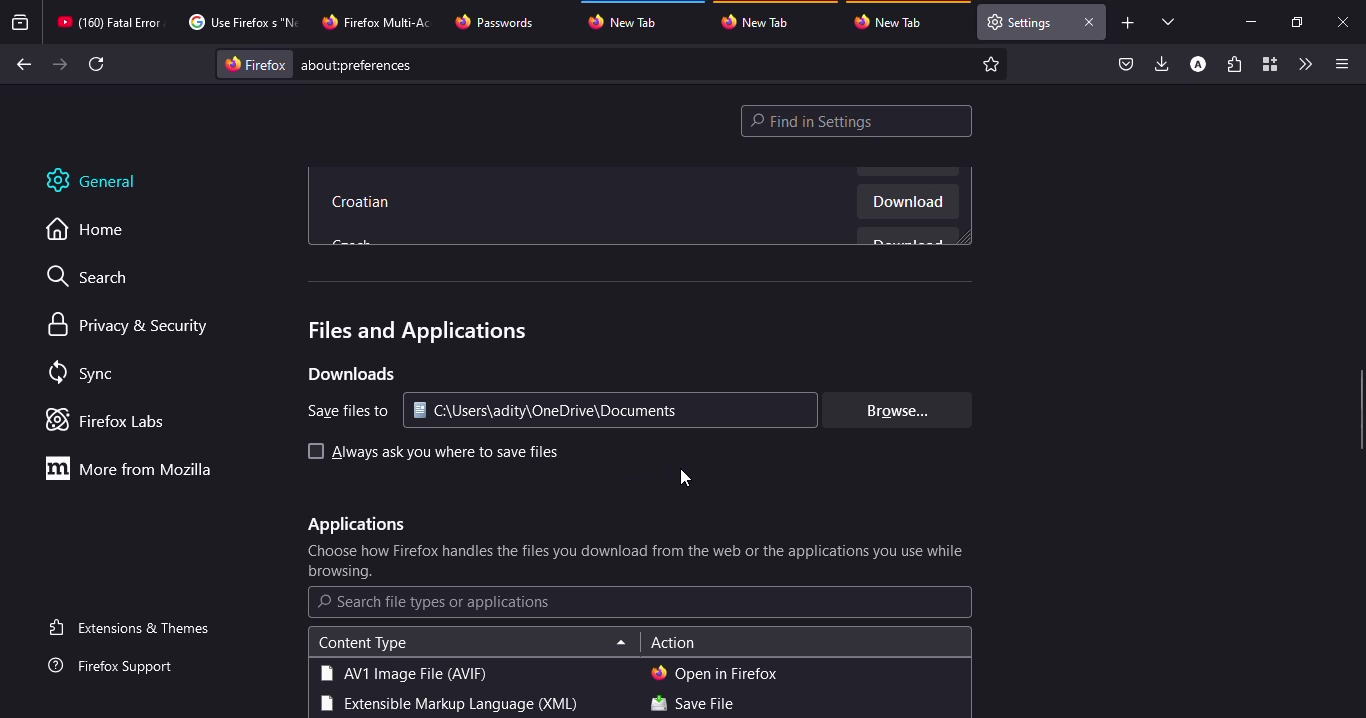  Describe the element at coordinates (638, 562) in the screenshot. I see `choose` at that location.